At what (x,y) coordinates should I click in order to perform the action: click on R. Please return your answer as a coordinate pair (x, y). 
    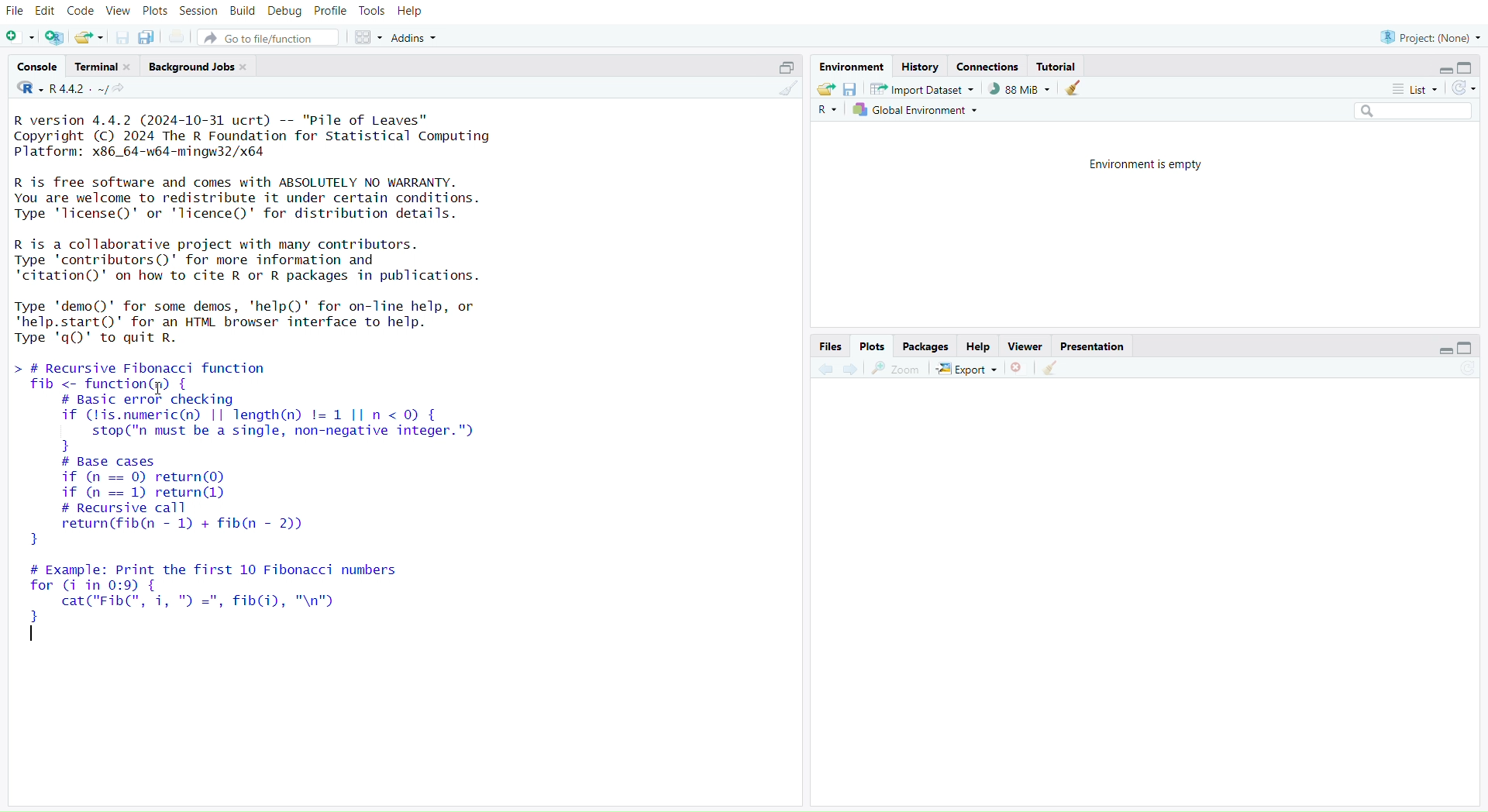
    Looking at the image, I should click on (827, 111).